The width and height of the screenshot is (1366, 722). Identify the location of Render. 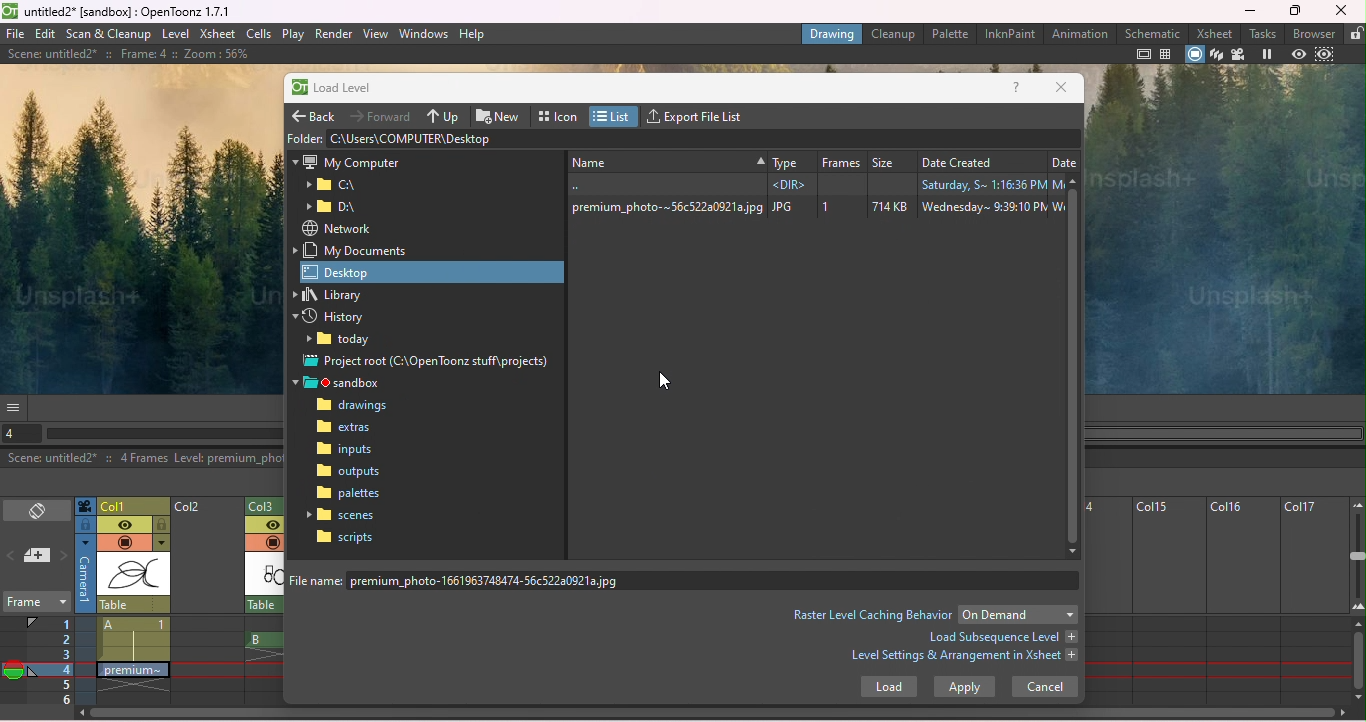
(333, 34).